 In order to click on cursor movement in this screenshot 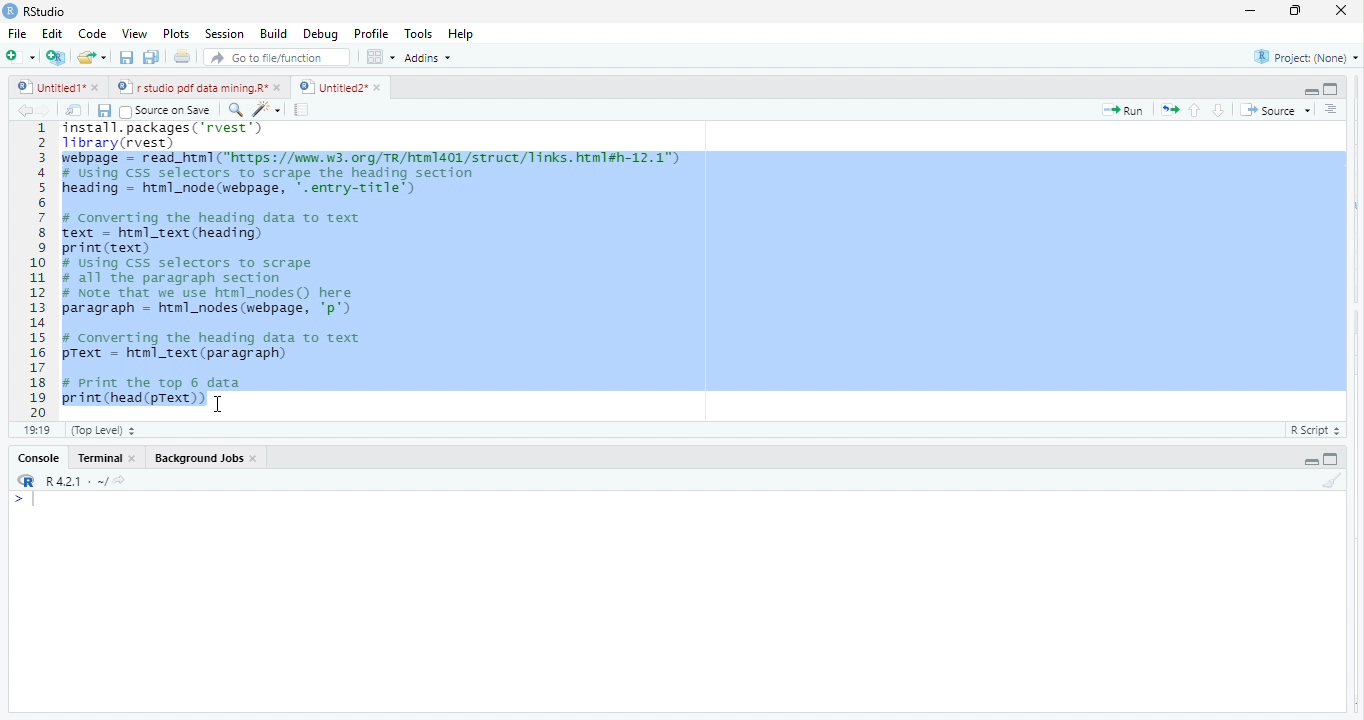, I will do `click(222, 402)`.